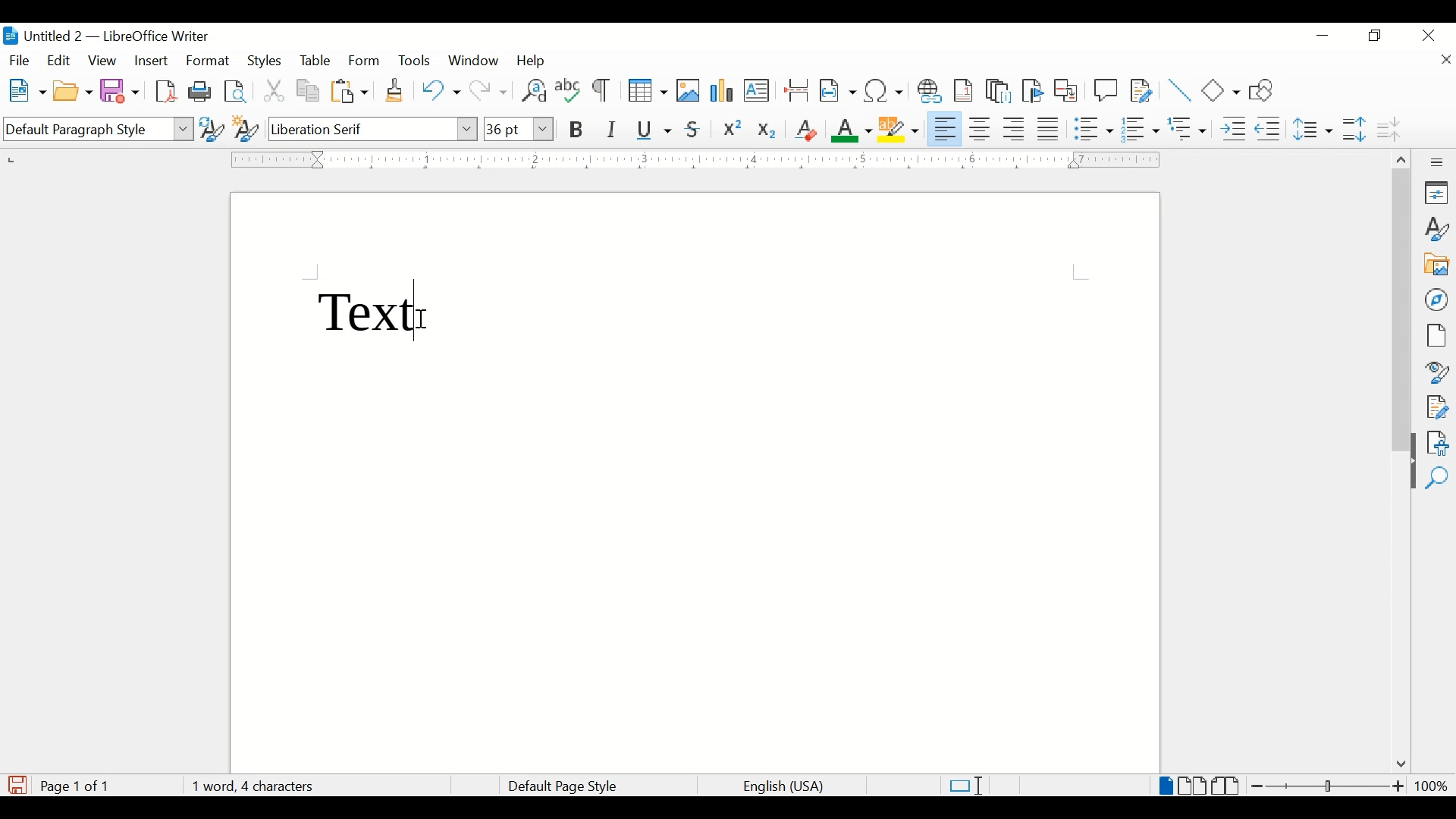 The image size is (1456, 819). I want to click on decrease indent, so click(1269, 128).